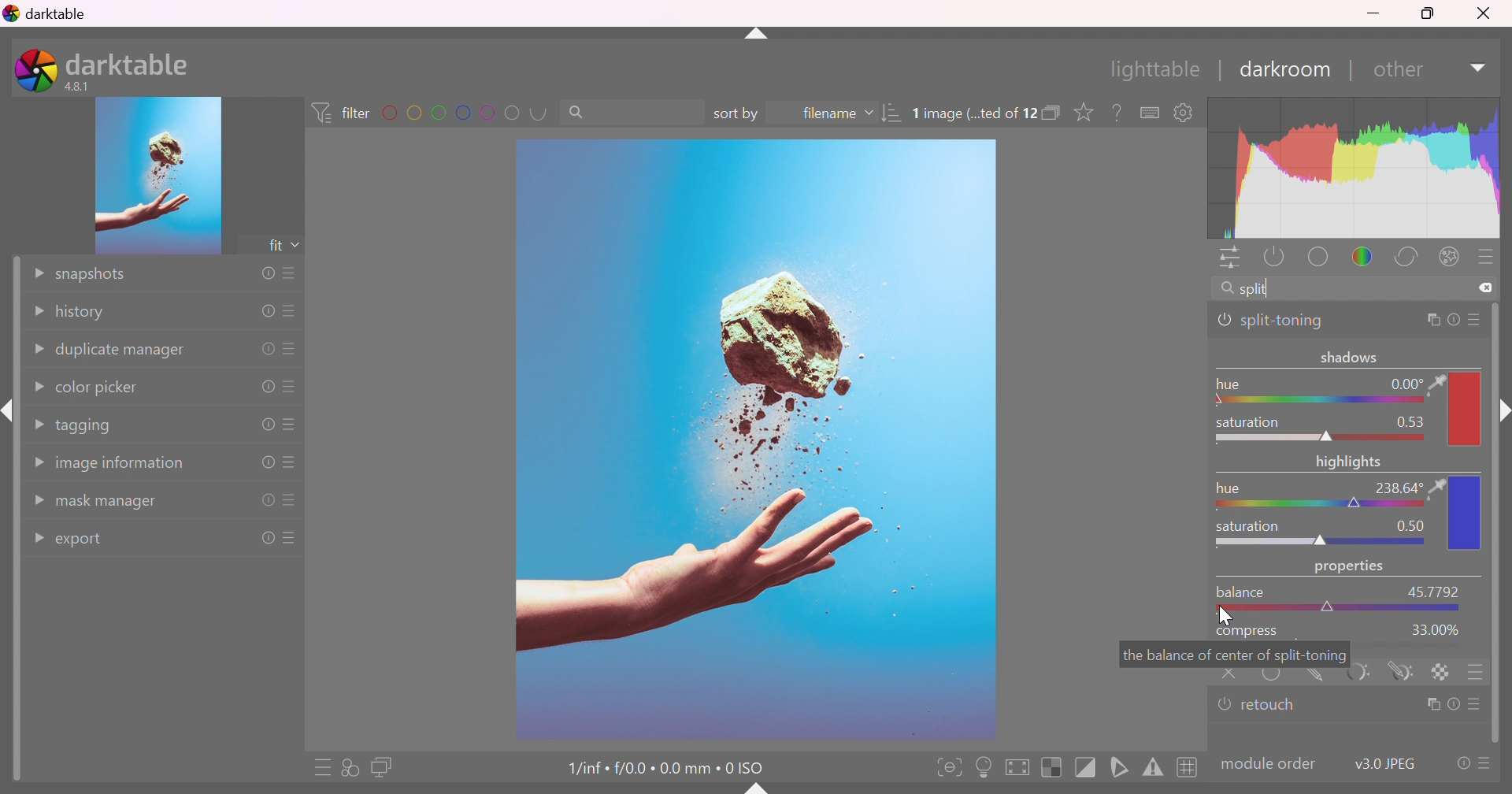 The image size is (1512, 794). What do you see at coordinates (1120, 767) in the screenshot?
I see `toggle softproofing` at bounding box center [1120, 767].